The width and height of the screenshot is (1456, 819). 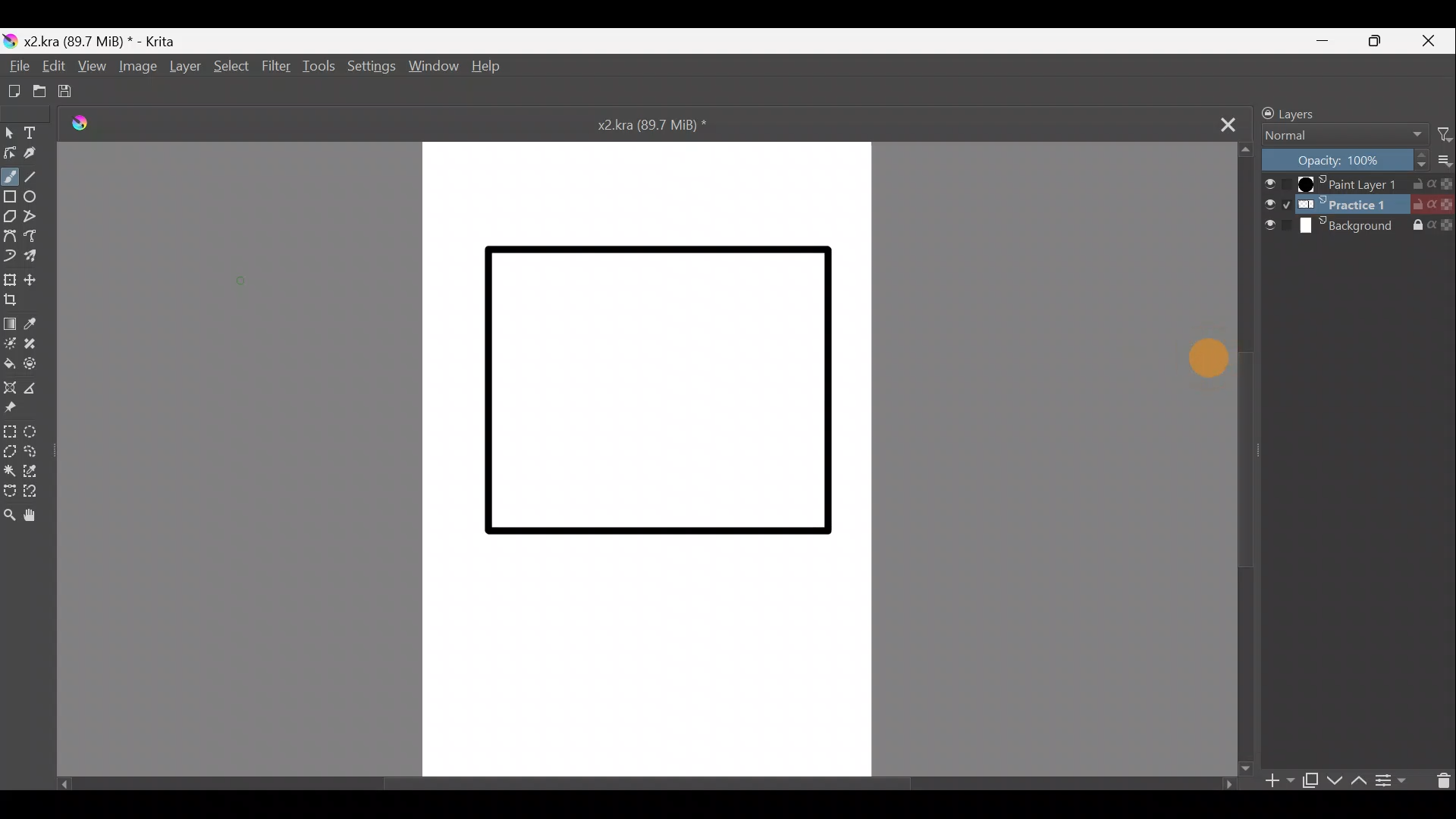 I want to click on Layer, so click(x=184, y=67).